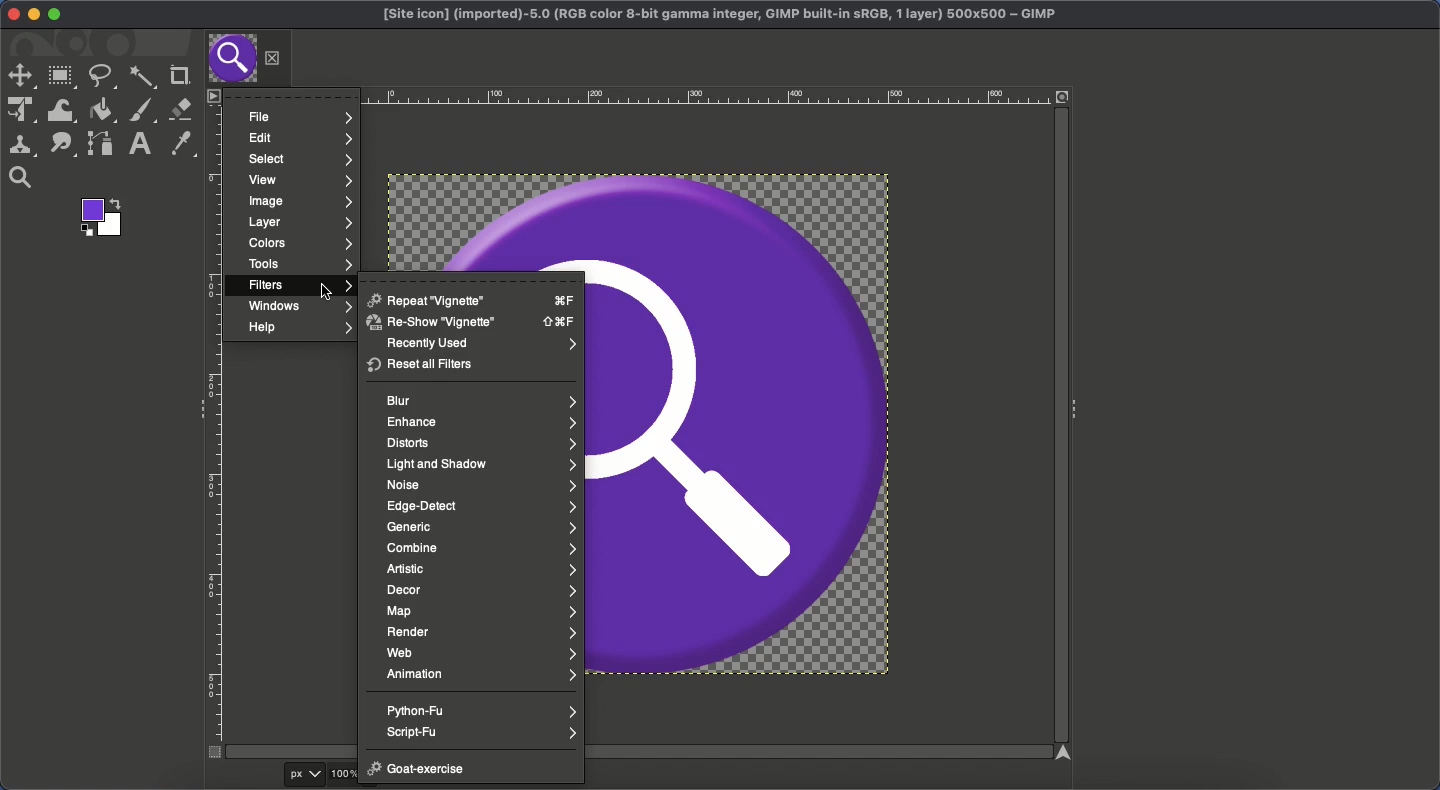  I want to click on Script-Fu, so click(482, 731).